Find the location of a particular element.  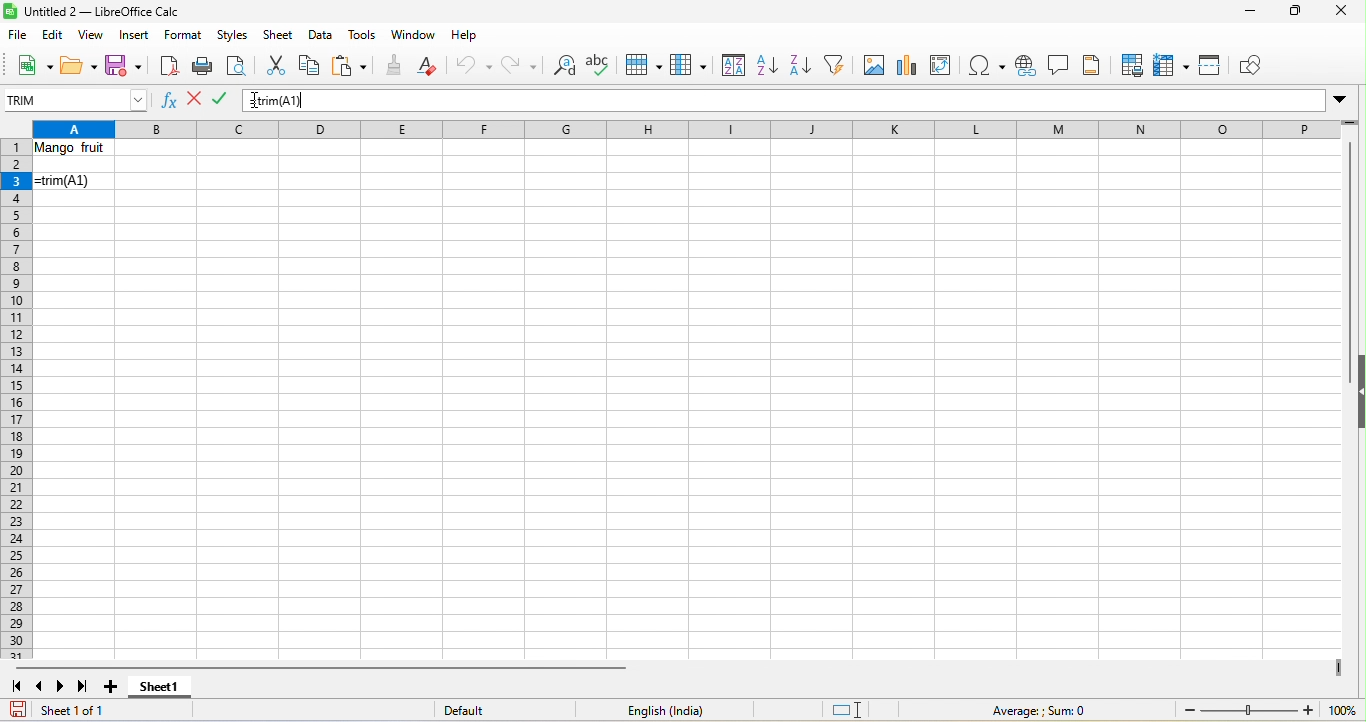

insert is located at coordinates (135, 36).